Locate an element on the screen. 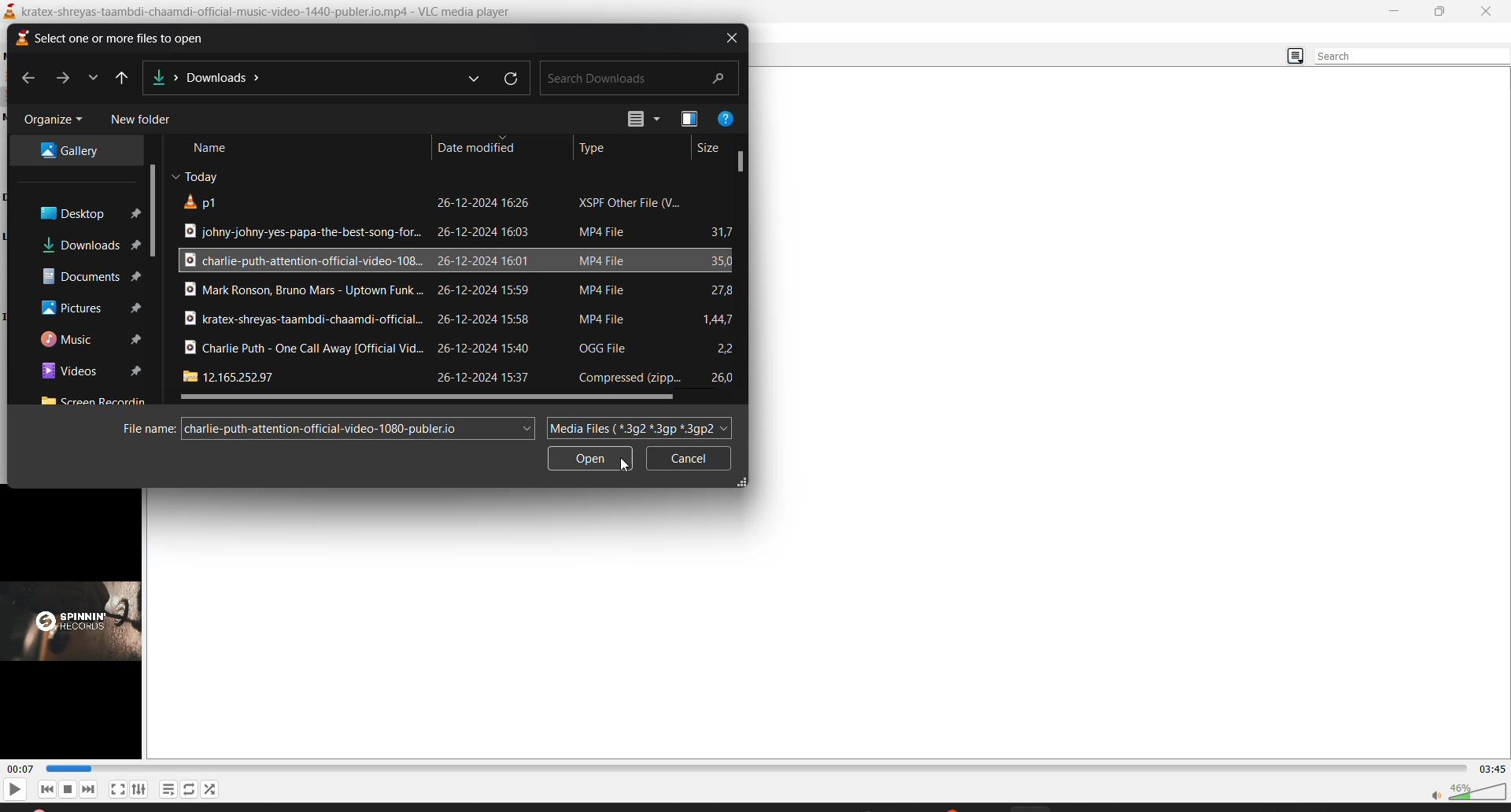 This screenshot has height=812, width=1511. vertical scroll bar is located at coordinates (741, 162).